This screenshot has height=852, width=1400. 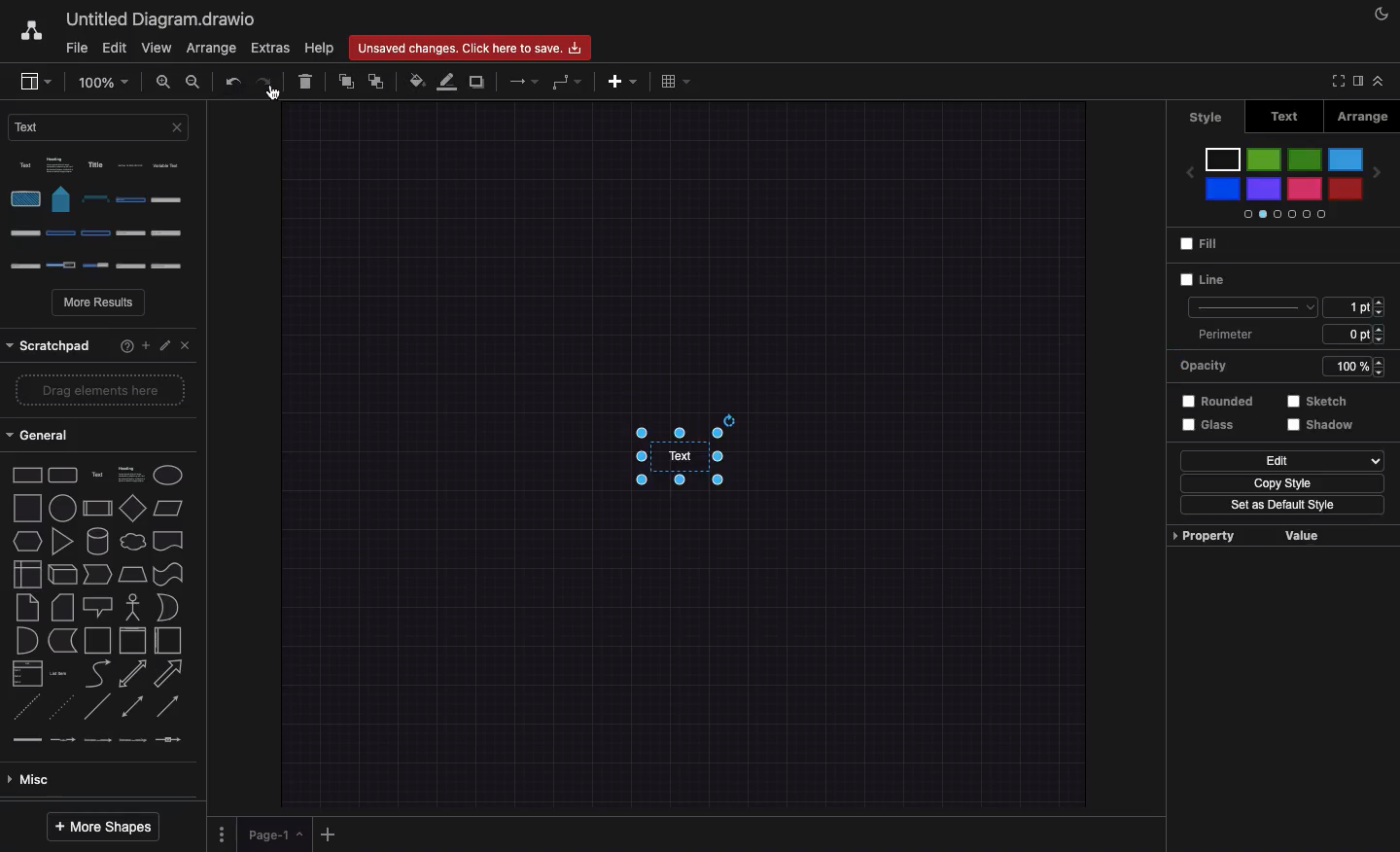 I want to click on Zoom out, so click(x=193, y=84).